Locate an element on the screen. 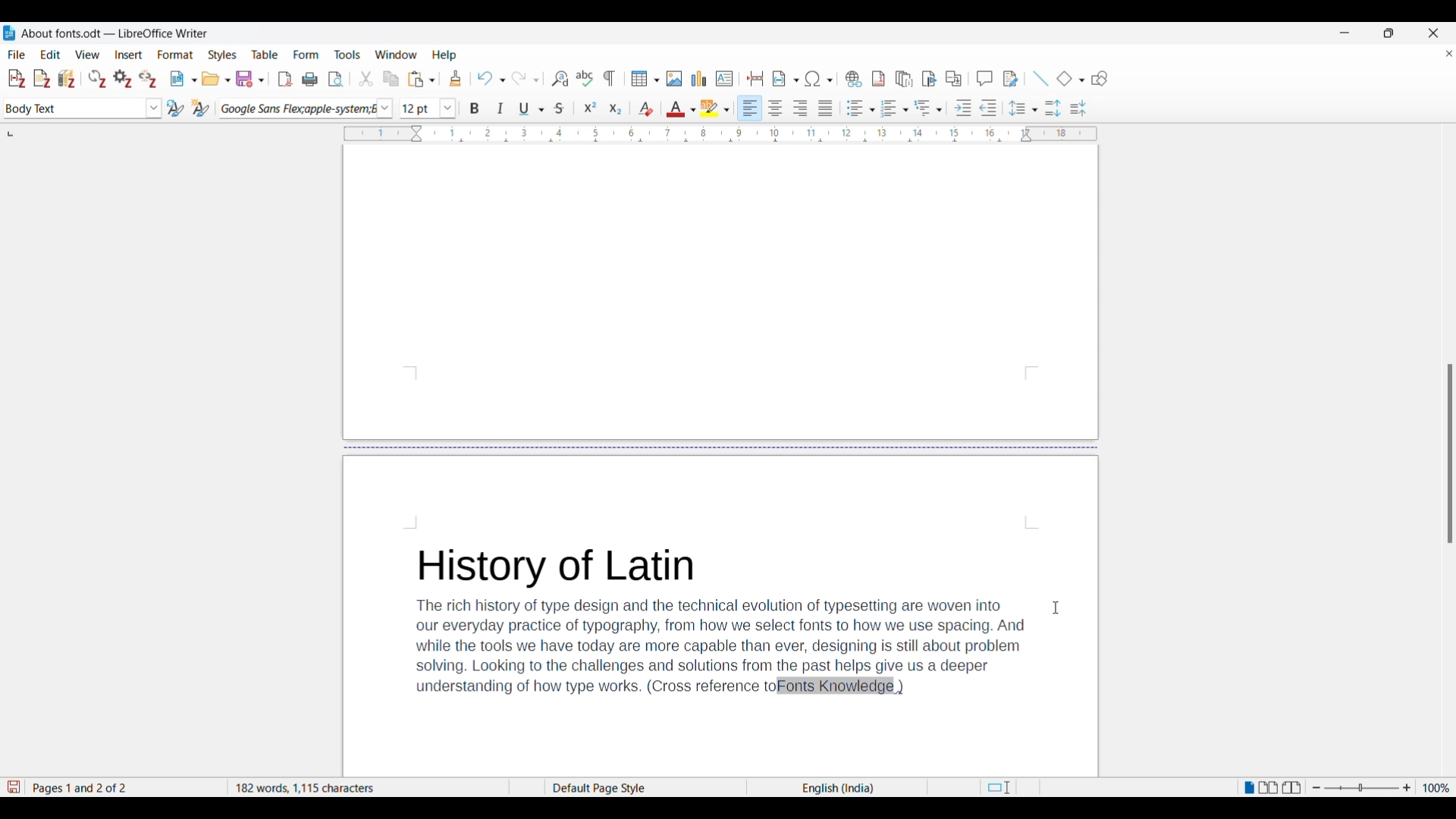 Image resolution: width=1456 pixels, height=819 pixels. Save options is located at coordinates (250, 79).